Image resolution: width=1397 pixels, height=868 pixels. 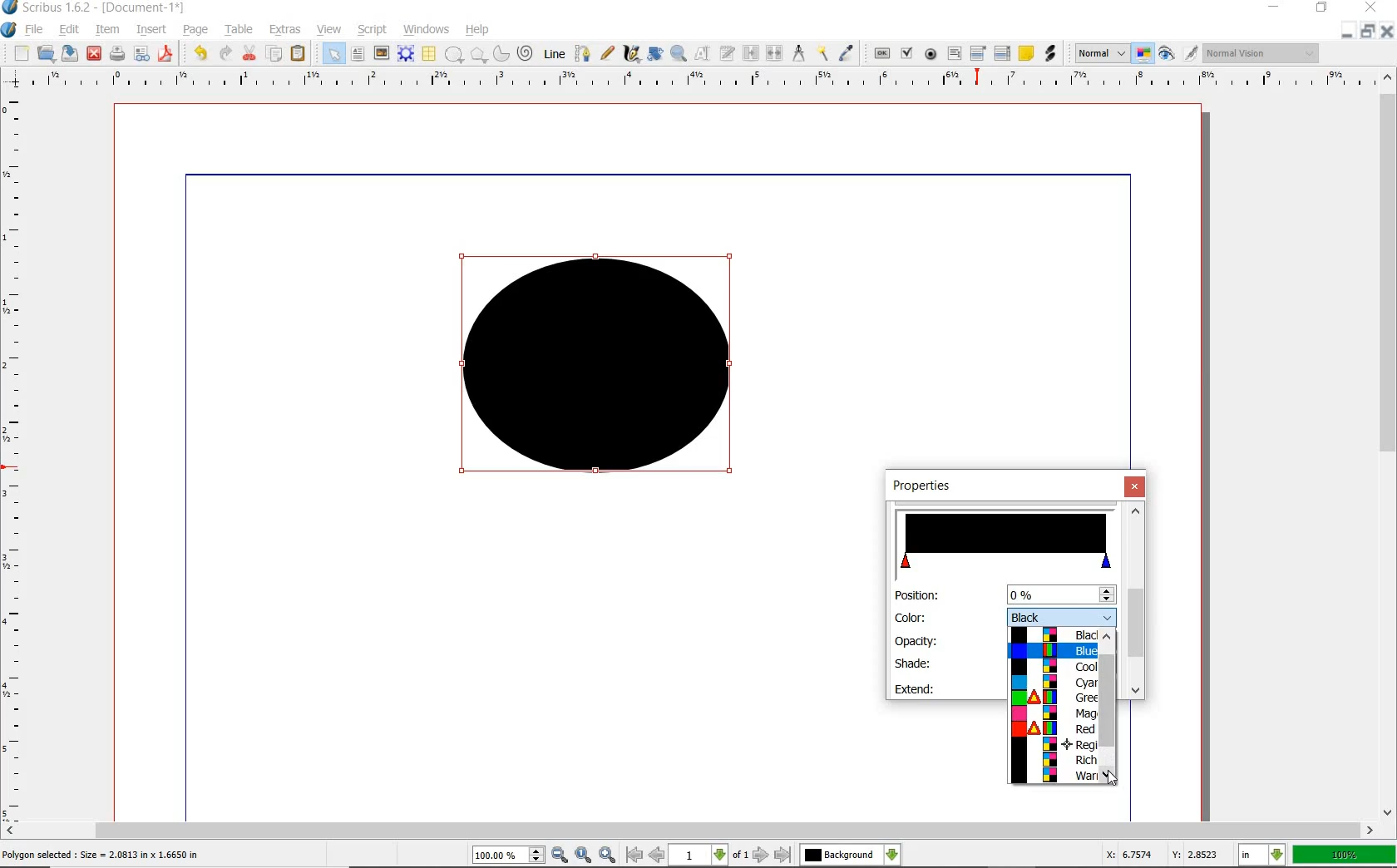 What do you see at coordinates (94, 54) in the screenshot?
I see `CLOSE` at bounding box center [94, 54].